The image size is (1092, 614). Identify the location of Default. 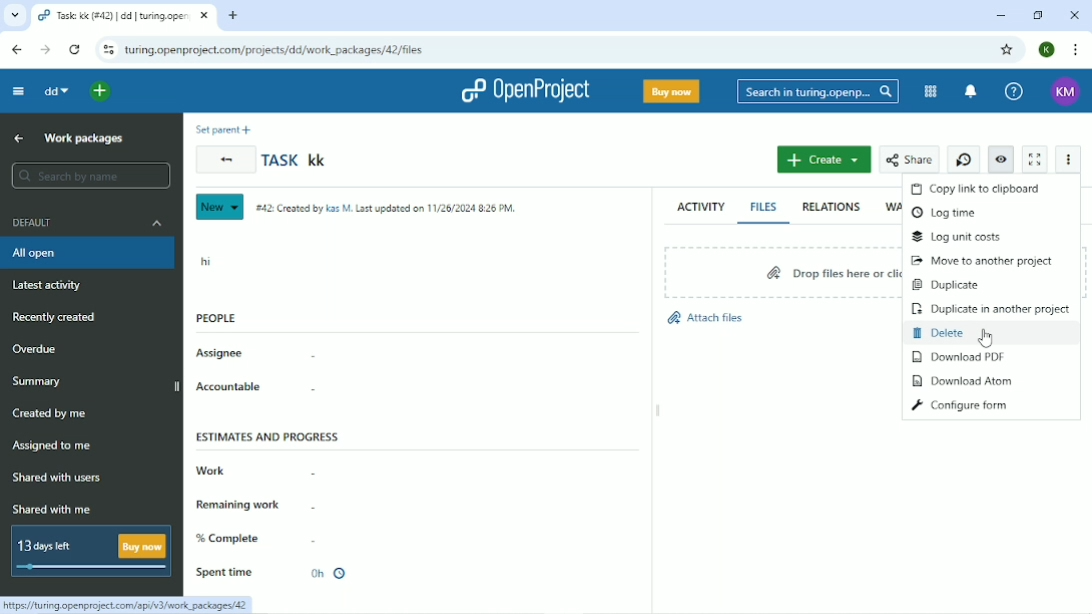
(87, 223).